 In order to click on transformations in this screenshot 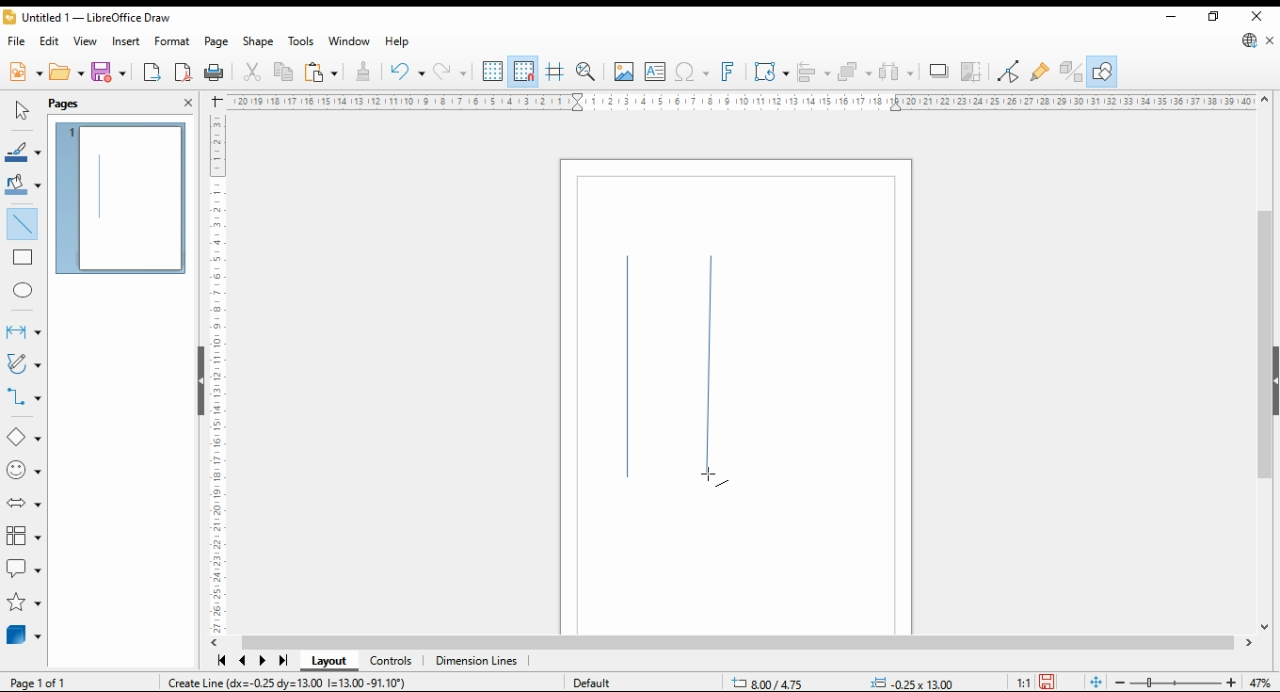, I will do `click(772, 72)`.